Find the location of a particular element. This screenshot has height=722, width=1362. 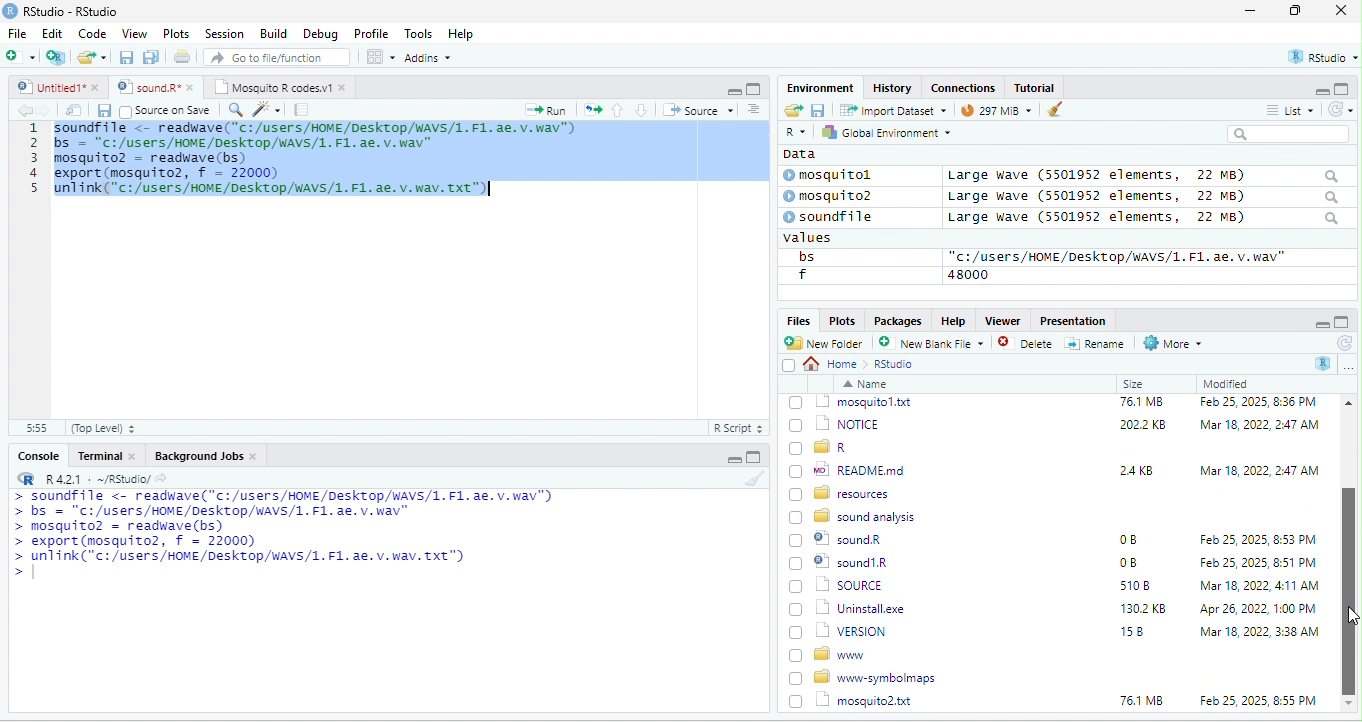

6KB is located at coordinates (1133, 498).